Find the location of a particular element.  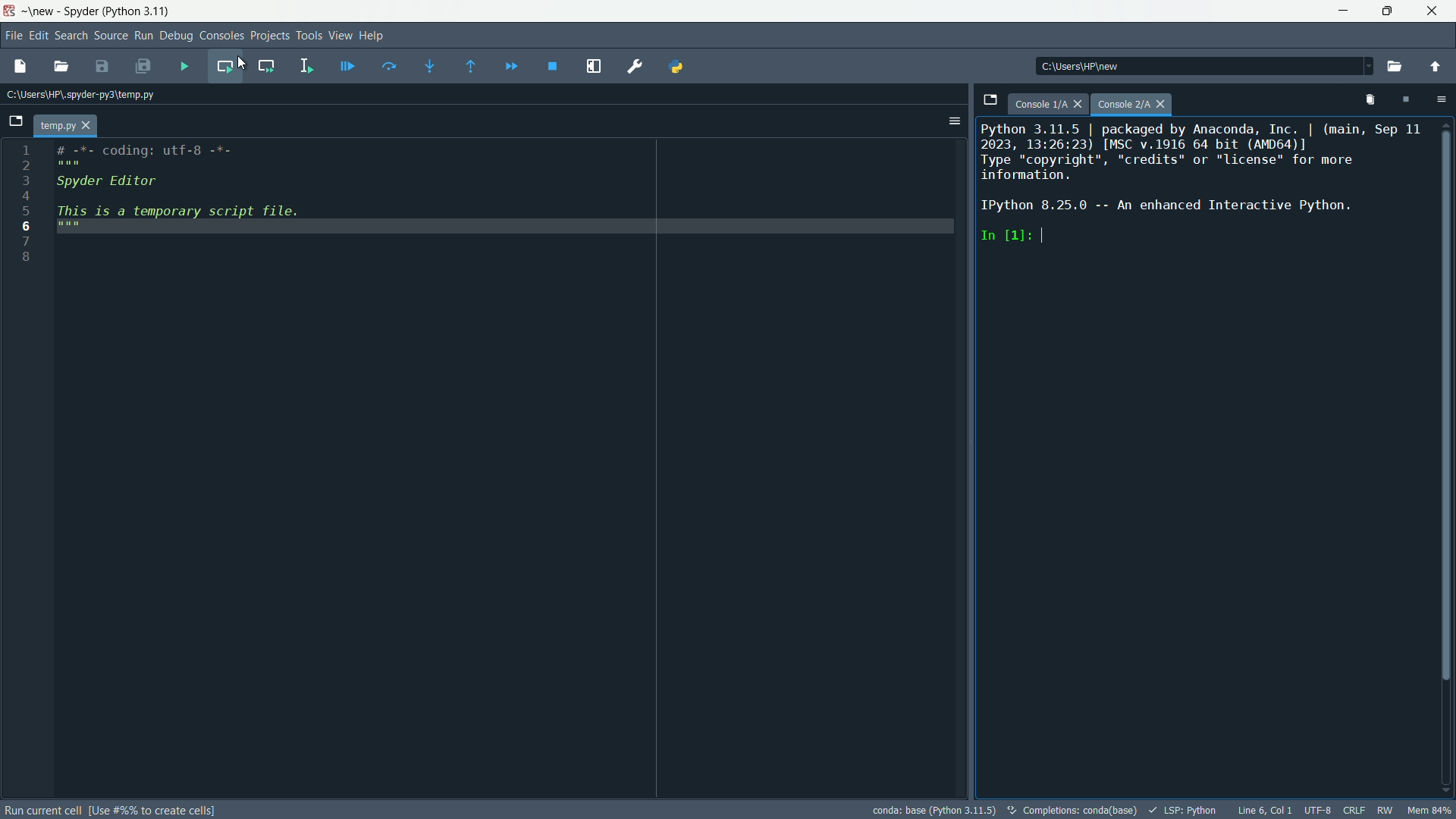

remove all variables from namespace  is located at coordinates (1370, 100).